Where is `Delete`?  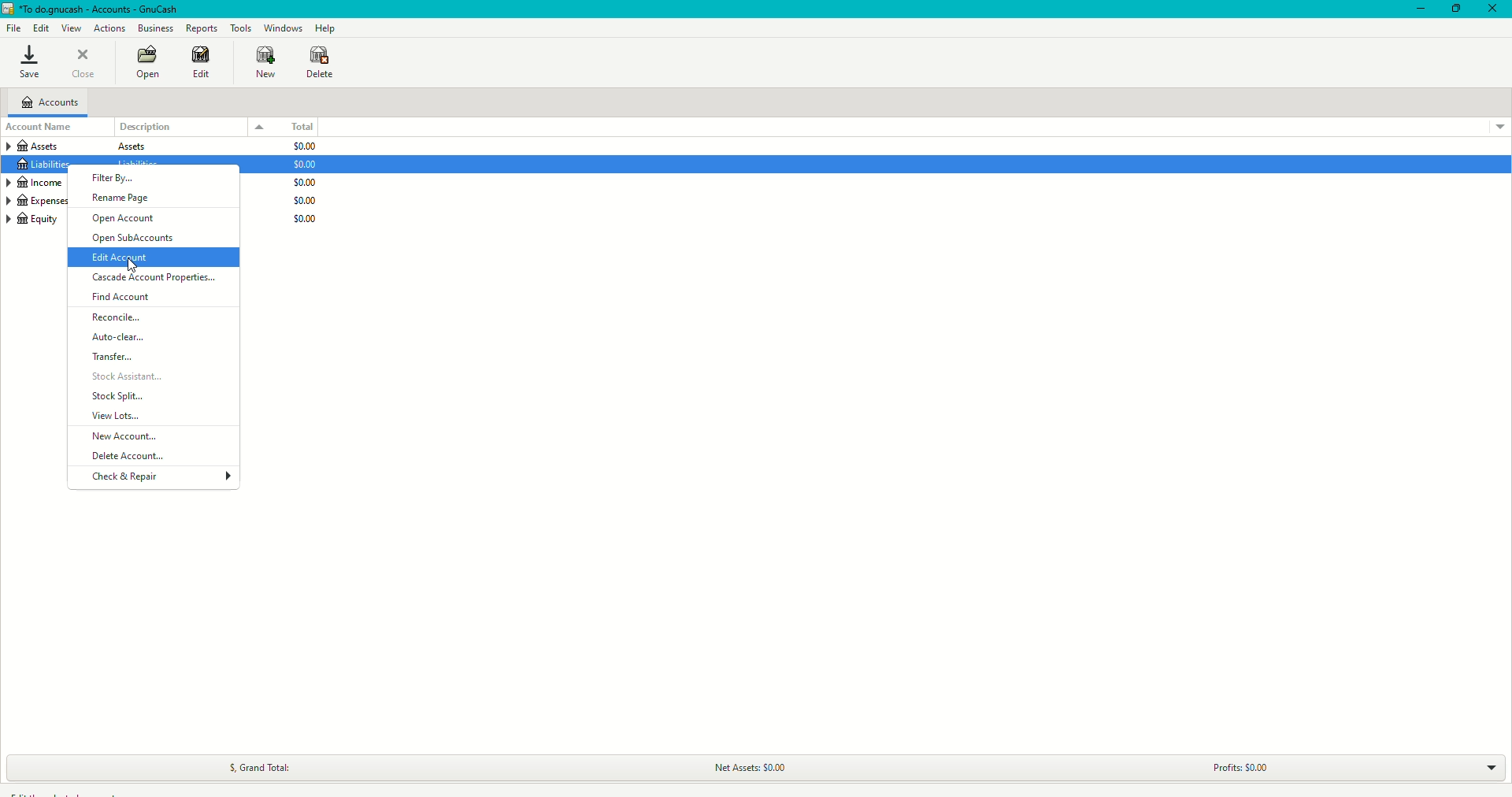
Delete is located at coordinates (323, 61).